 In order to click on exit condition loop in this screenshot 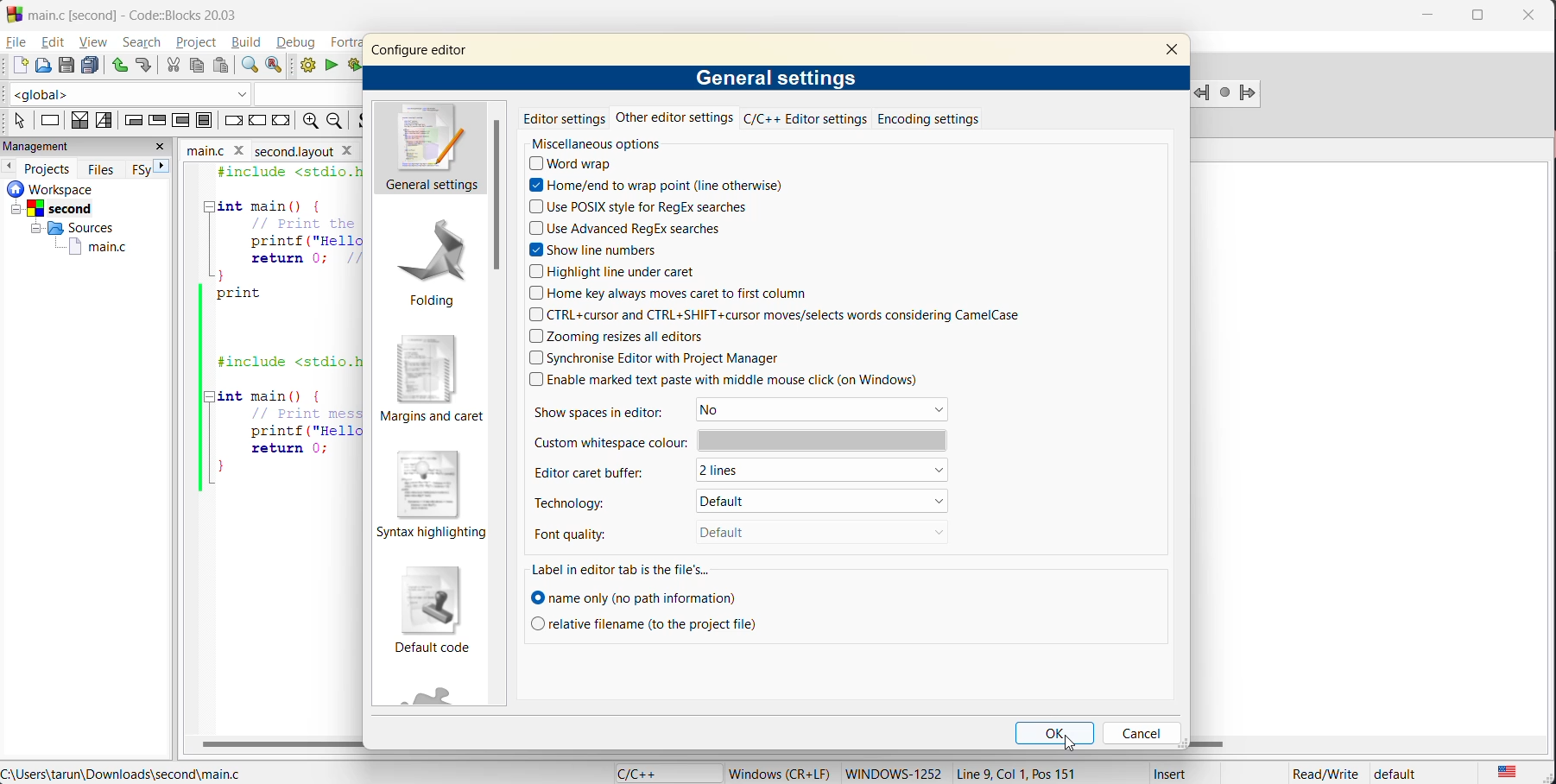, I will do `click(156, 119)`.